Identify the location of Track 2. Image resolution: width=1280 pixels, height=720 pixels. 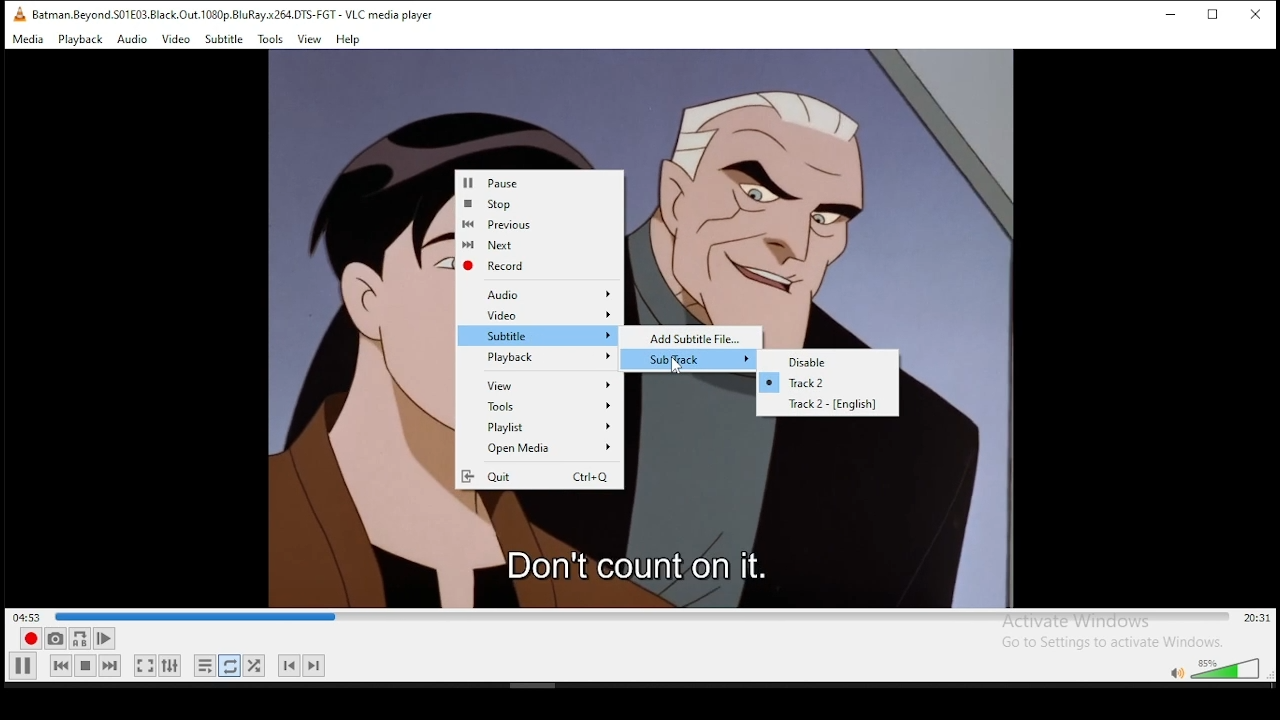
(825, 383).